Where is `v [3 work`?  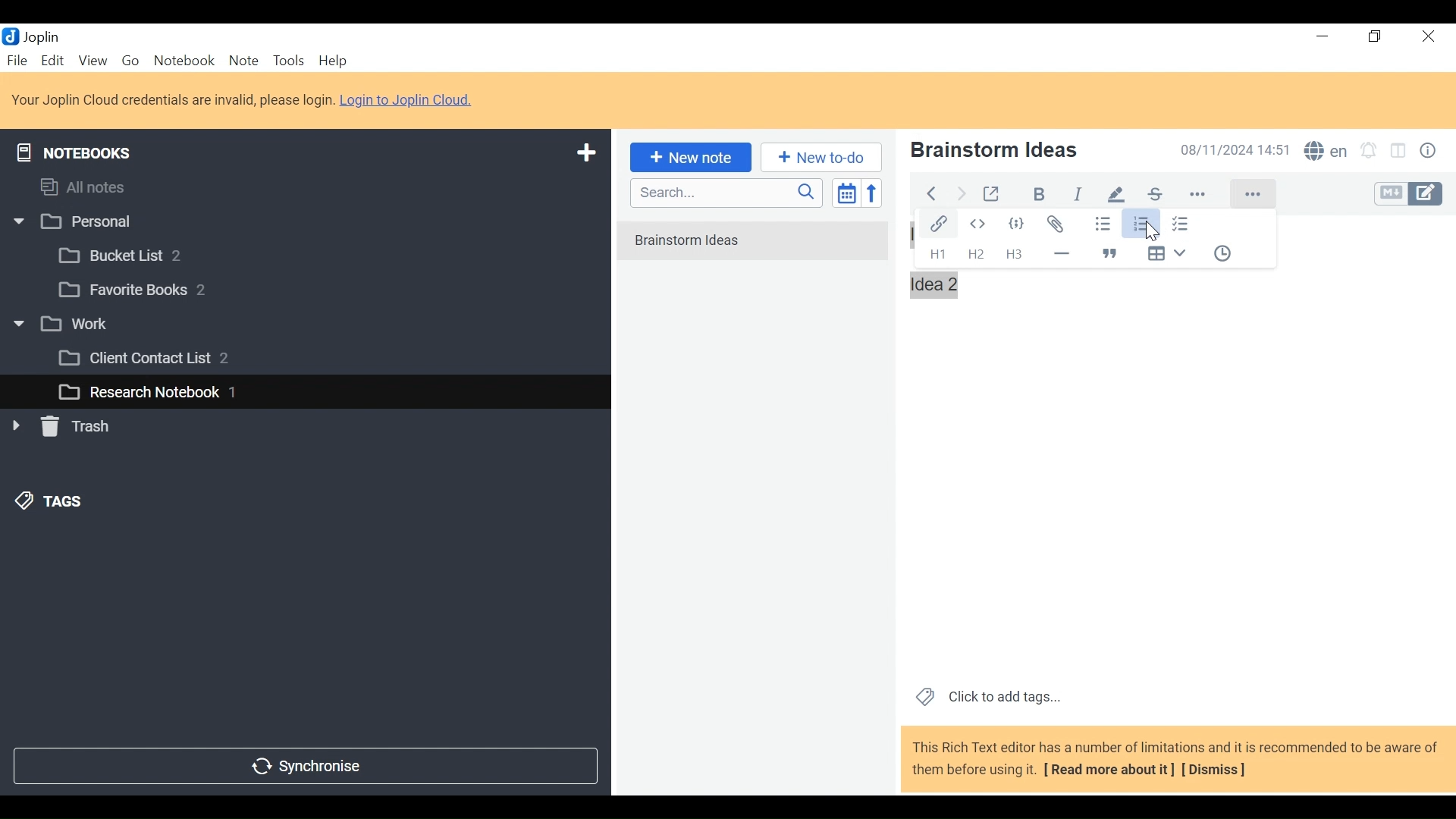
v [3 work is located at coordinates (78, 325).